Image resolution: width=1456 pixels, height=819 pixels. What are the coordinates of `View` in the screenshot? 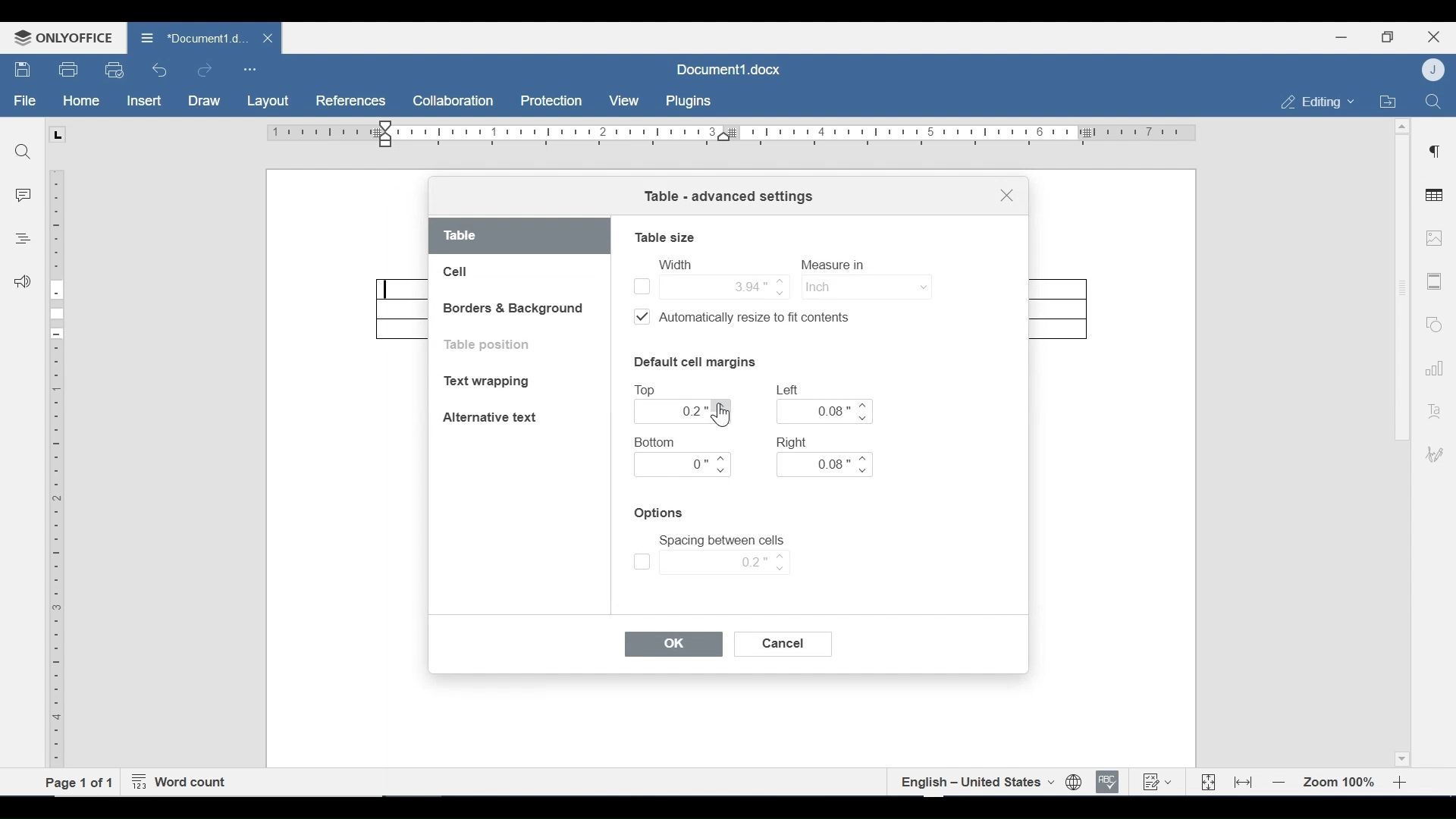 It's located at (625, 101).